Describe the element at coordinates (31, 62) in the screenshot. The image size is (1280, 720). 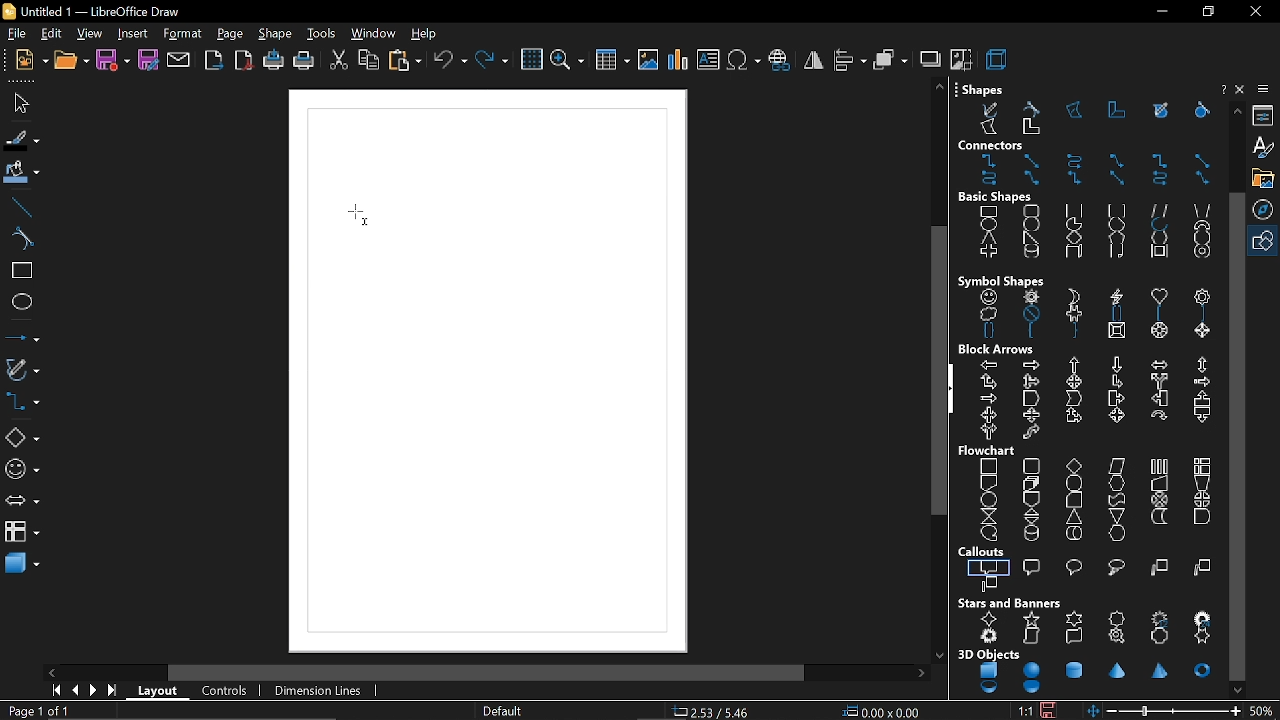
I see `new` at that location.